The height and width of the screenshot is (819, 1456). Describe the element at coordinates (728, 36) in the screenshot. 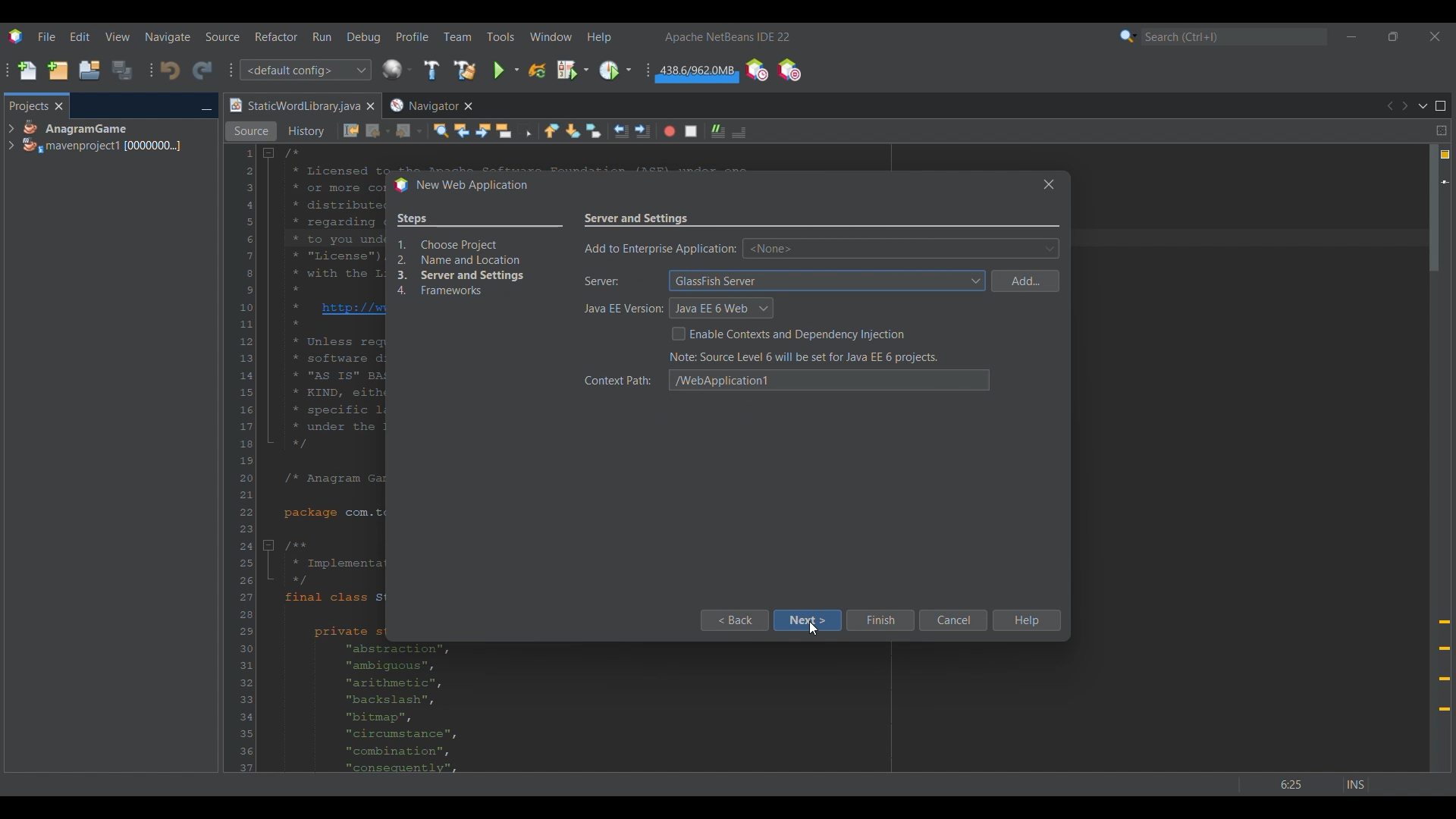

I see `Software name and version` at that location.